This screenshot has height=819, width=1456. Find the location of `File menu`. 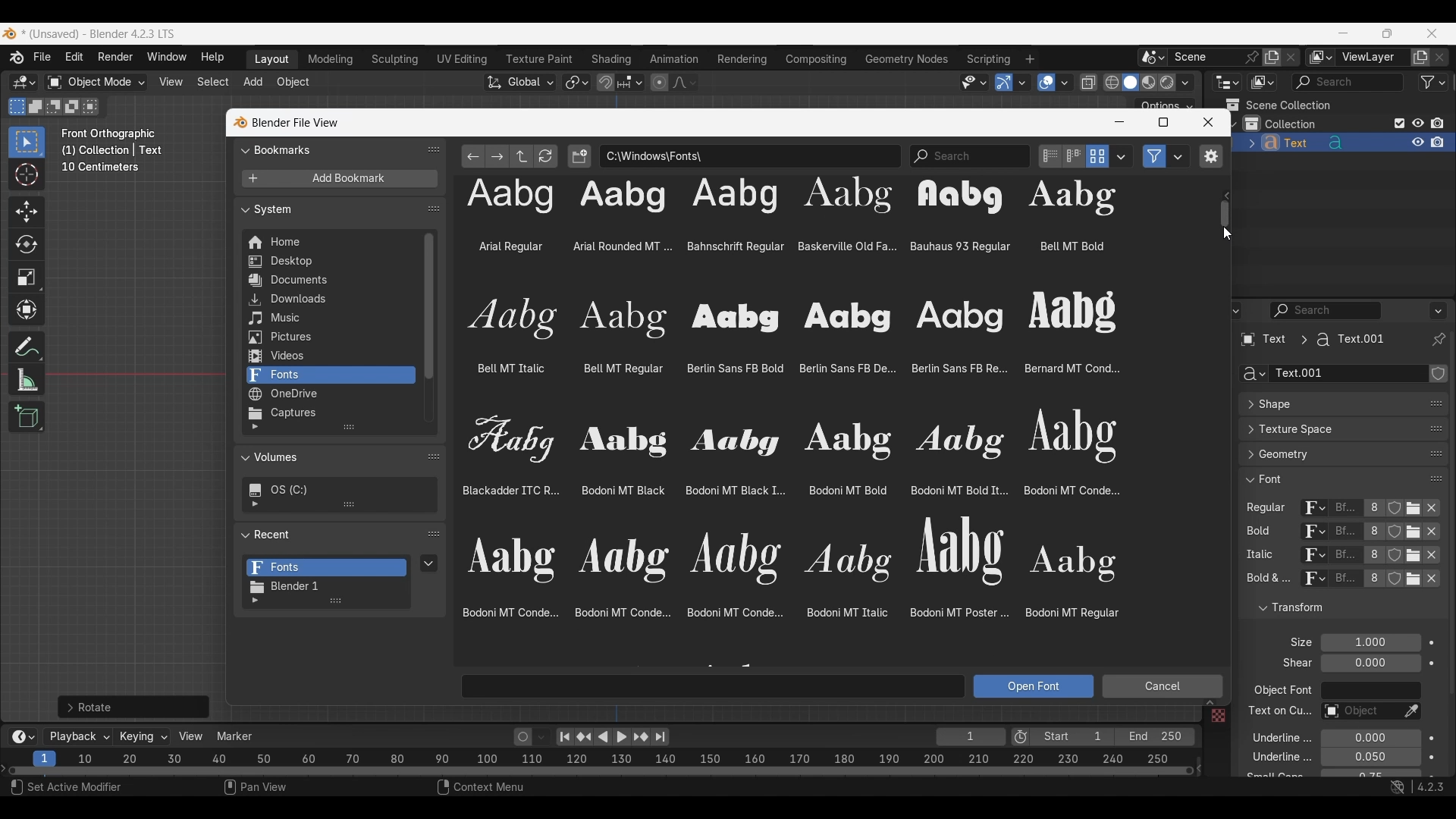

File menu is located at coordinates (43, 58).